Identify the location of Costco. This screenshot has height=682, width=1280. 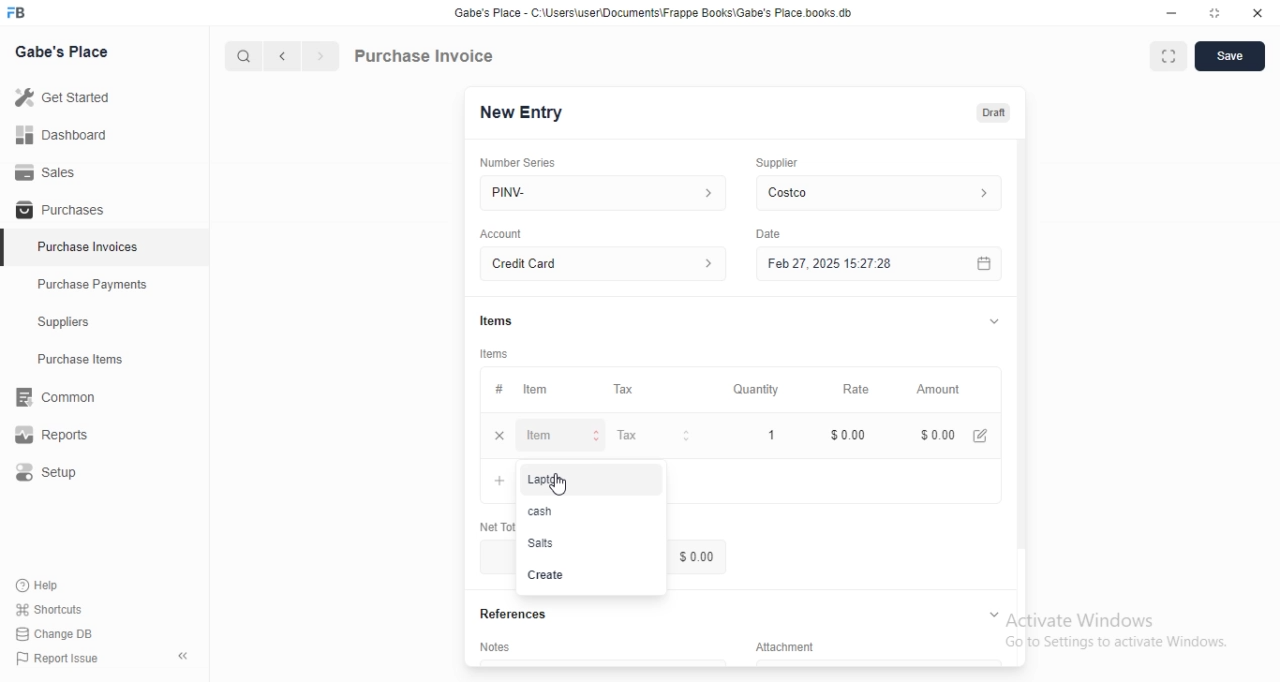
(879, 193).